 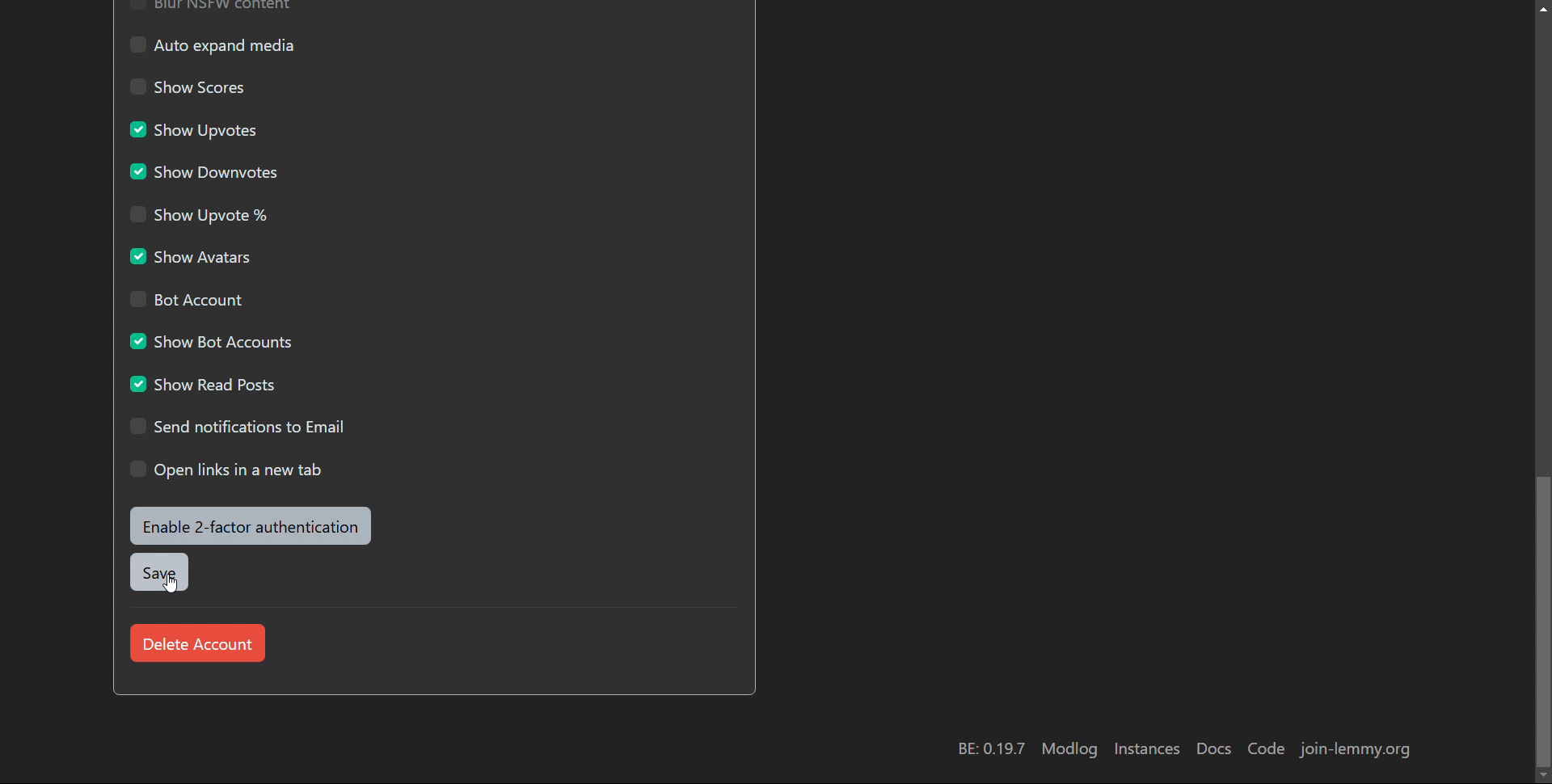 What do you see at coordinates (193, 256) in the screenshot?
I see `show avatars` at bounding box center [193, 256].